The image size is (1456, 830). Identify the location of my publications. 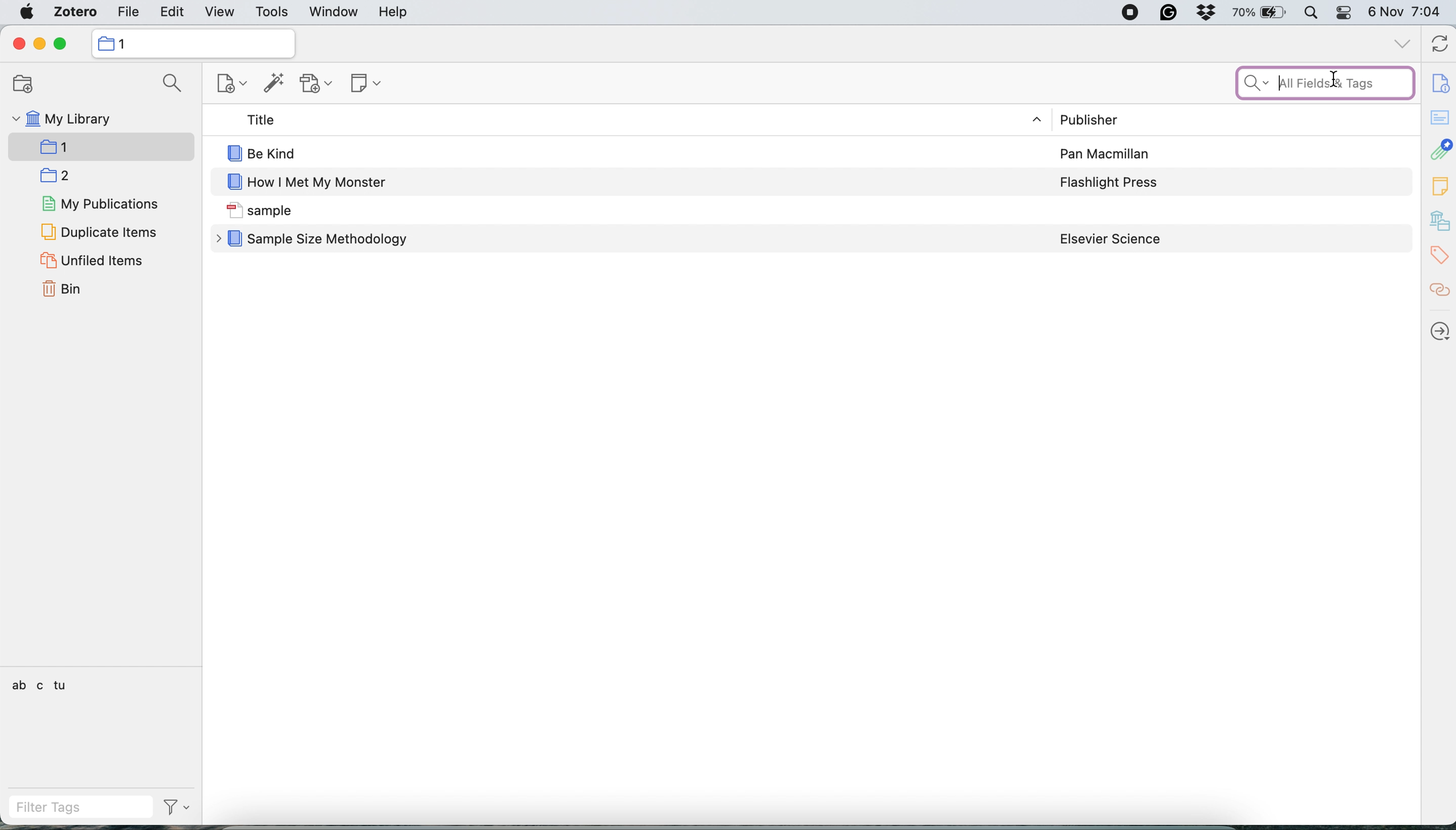
(103, 205).